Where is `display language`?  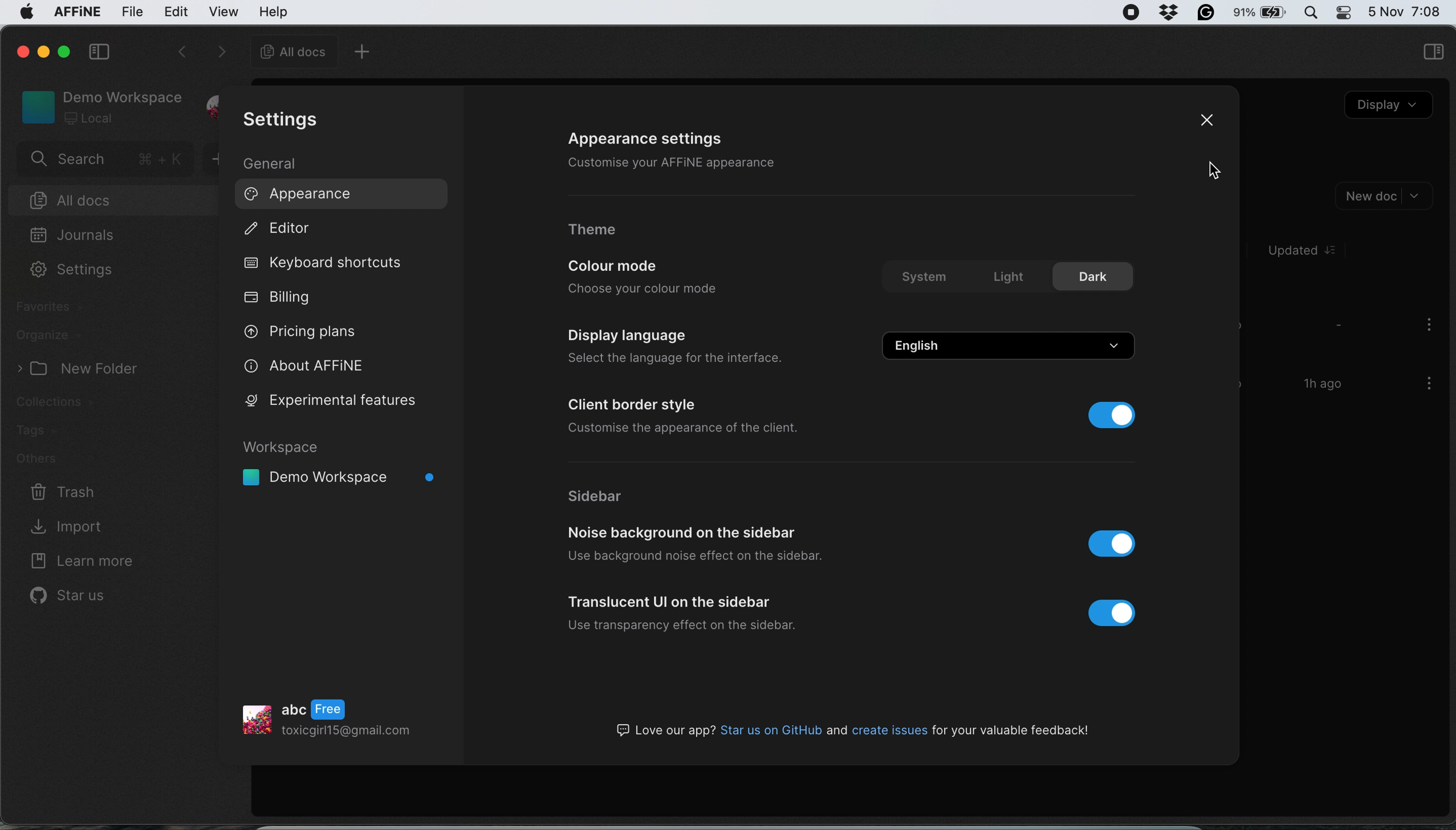
display language is located at coordinates (638, 335).